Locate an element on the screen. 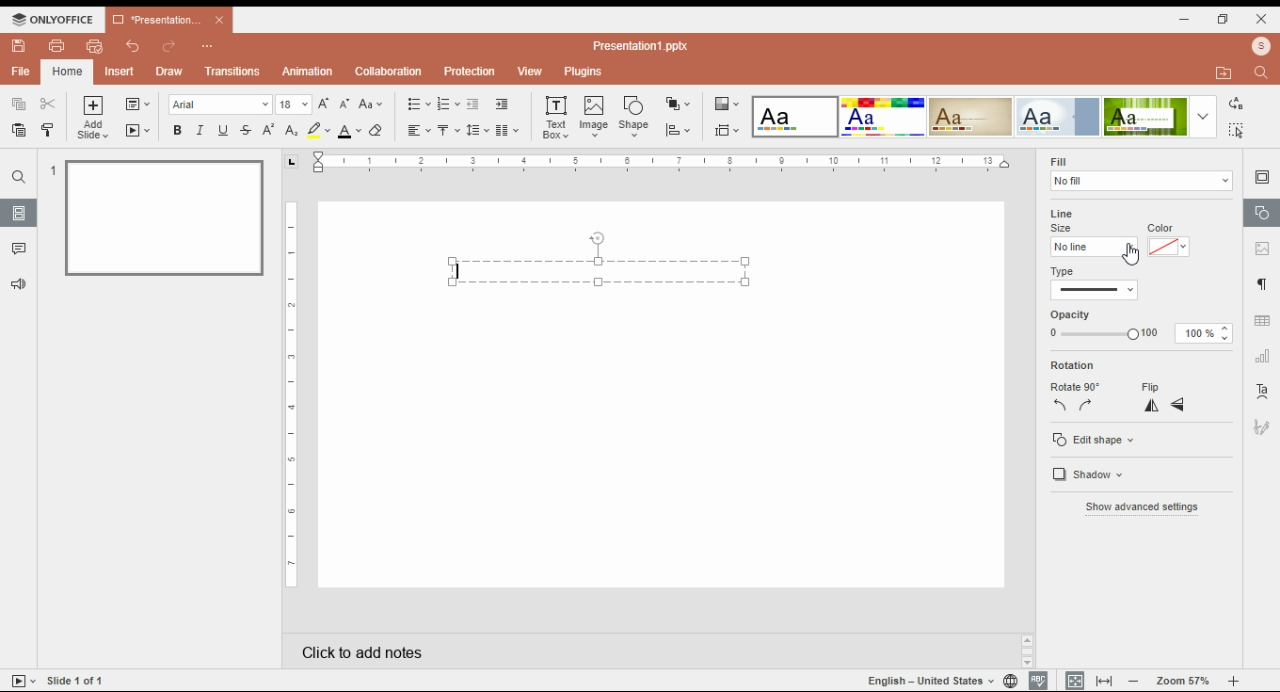  opacity from 0 to 100 is located at coordinates (1103, 334).